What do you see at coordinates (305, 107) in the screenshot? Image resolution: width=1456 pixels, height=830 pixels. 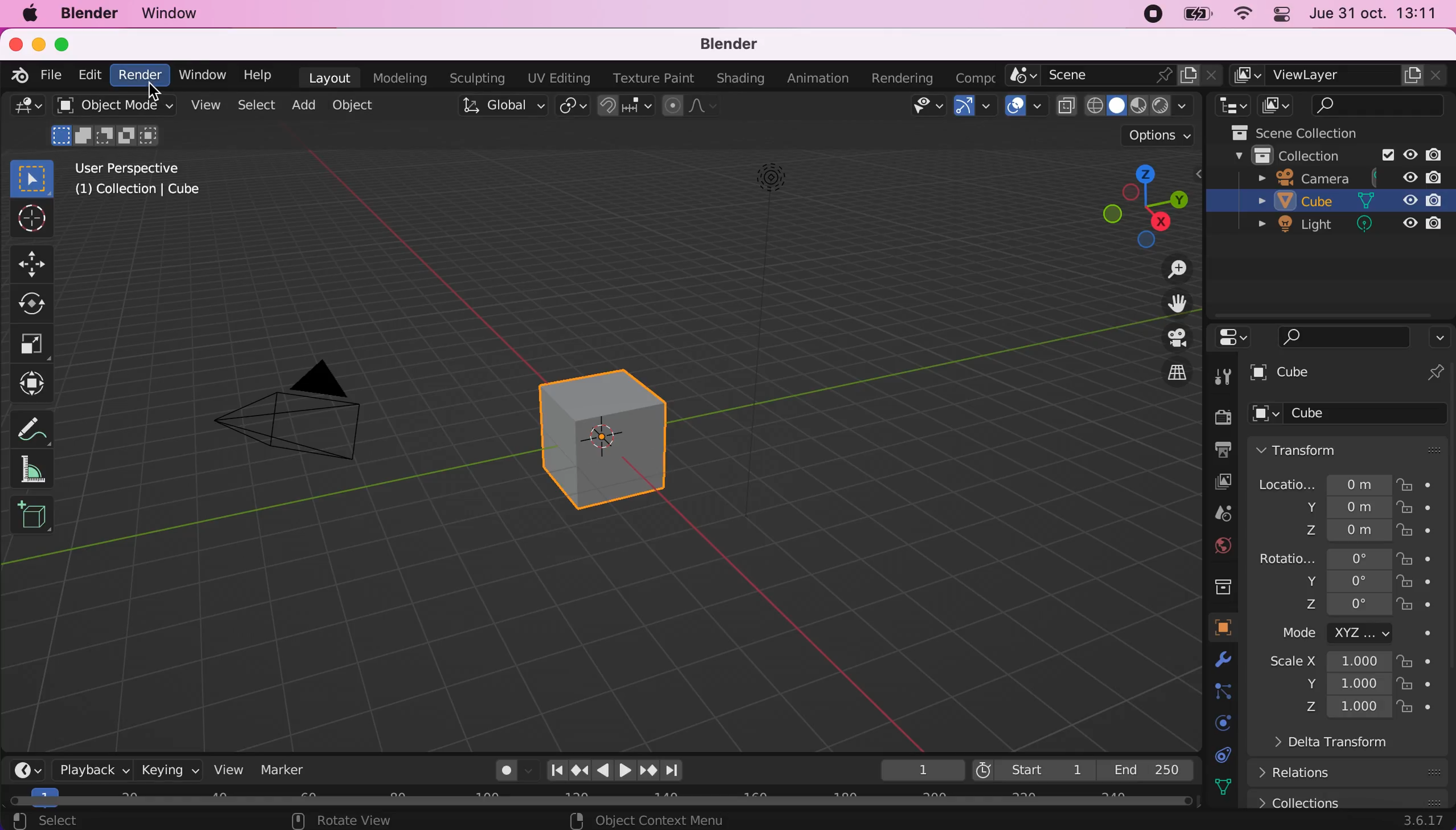 I see `add` at bounding box center [305, 107].